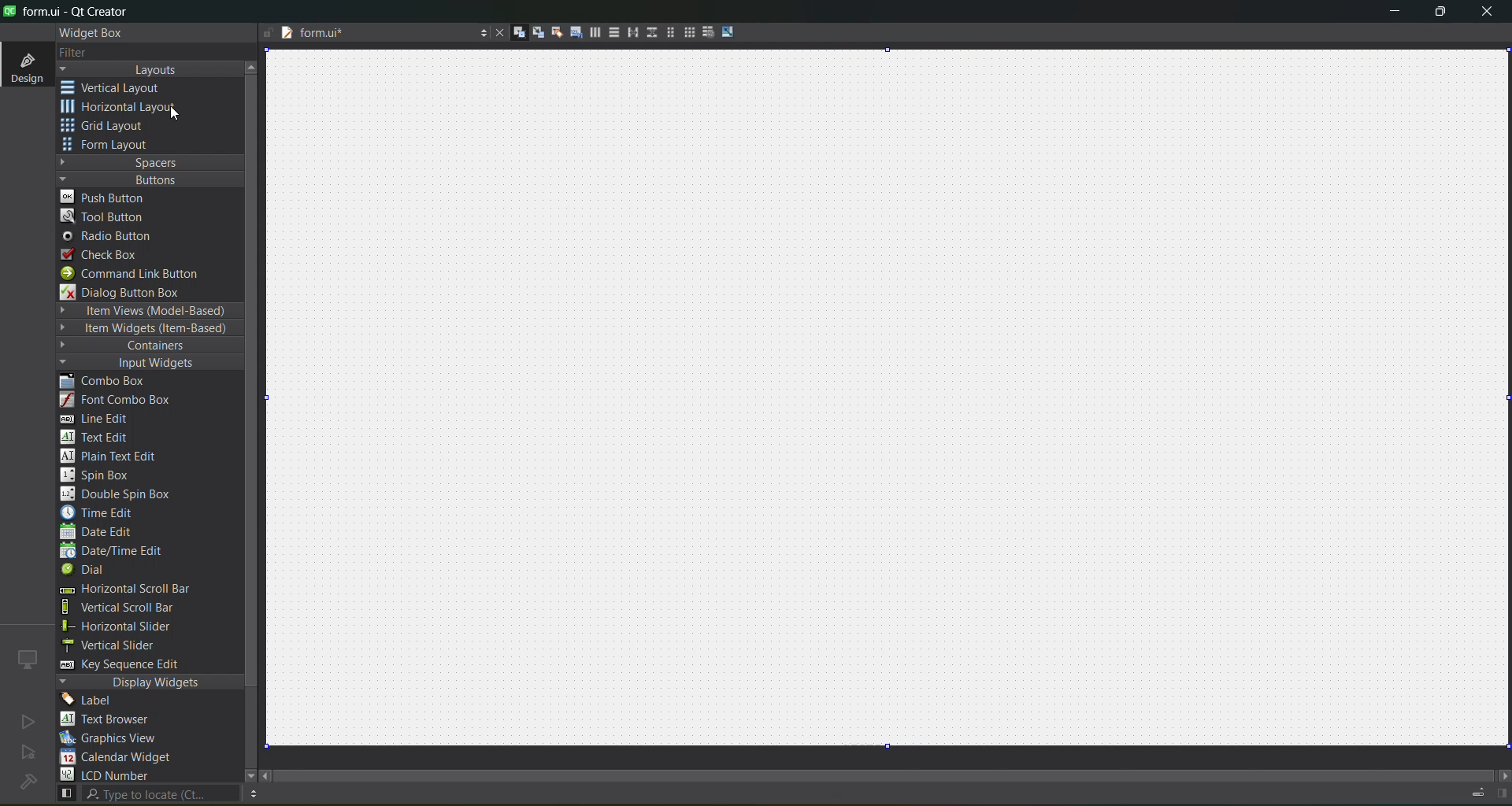 This screenshot has width=1512, height=806. What do you see at coordinates (112, 237) in the screenshot?
I see `radio` at bounding box center [112, 237].